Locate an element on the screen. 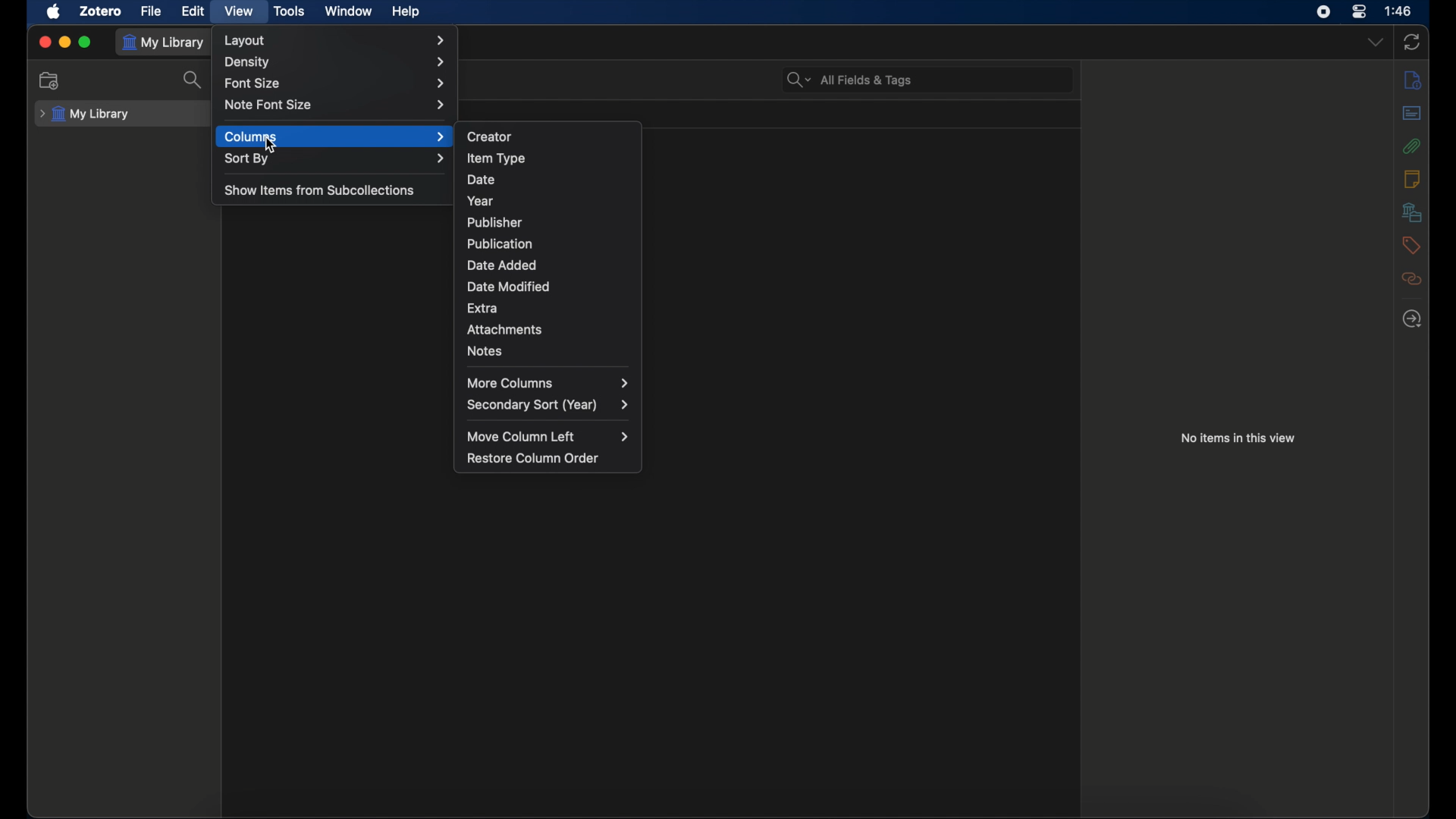 The image size is (1456, 819). tags is located at coordinates (1409, 245).